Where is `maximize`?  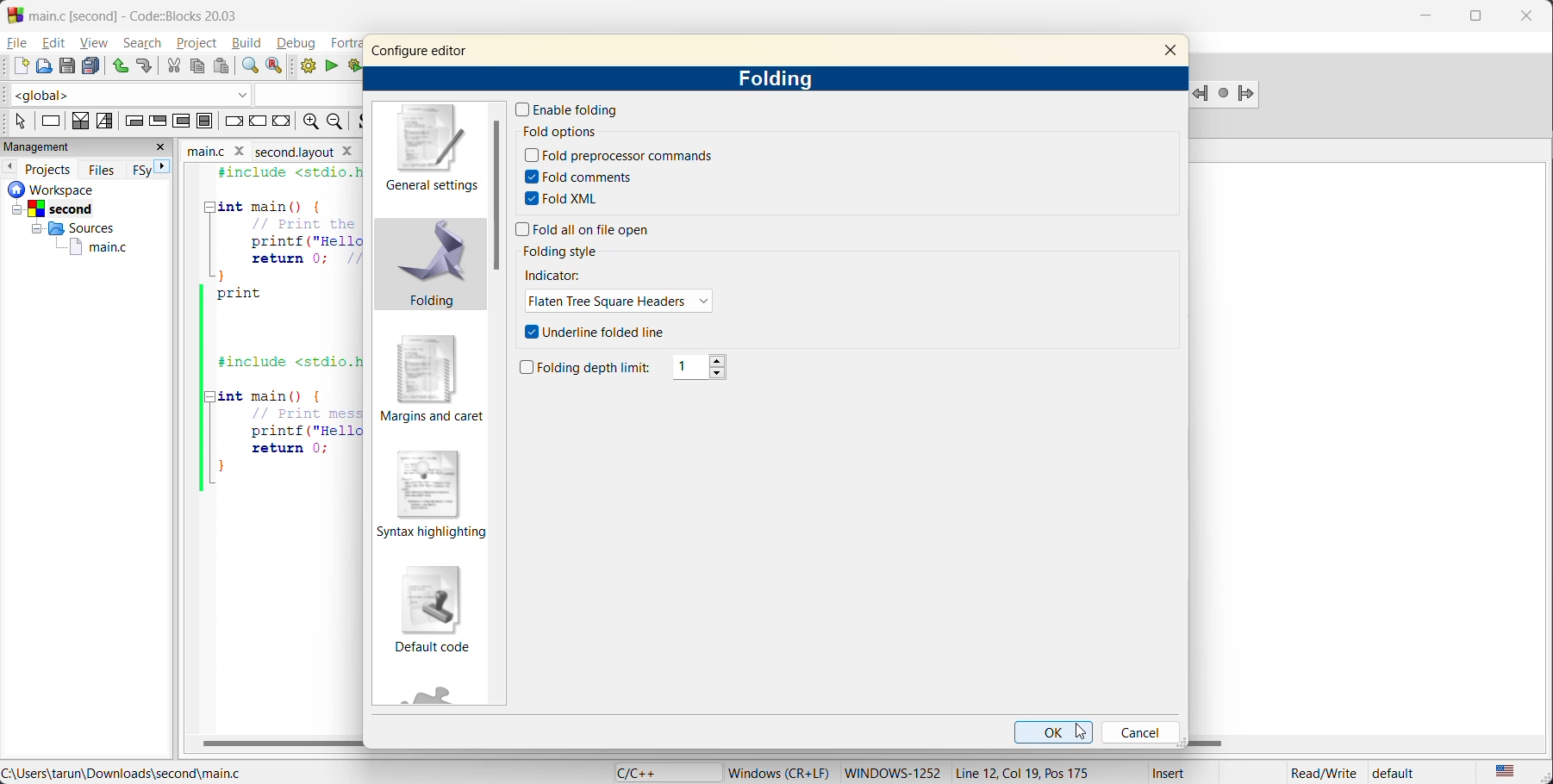
maximize is located at coordinates (1476, 19).